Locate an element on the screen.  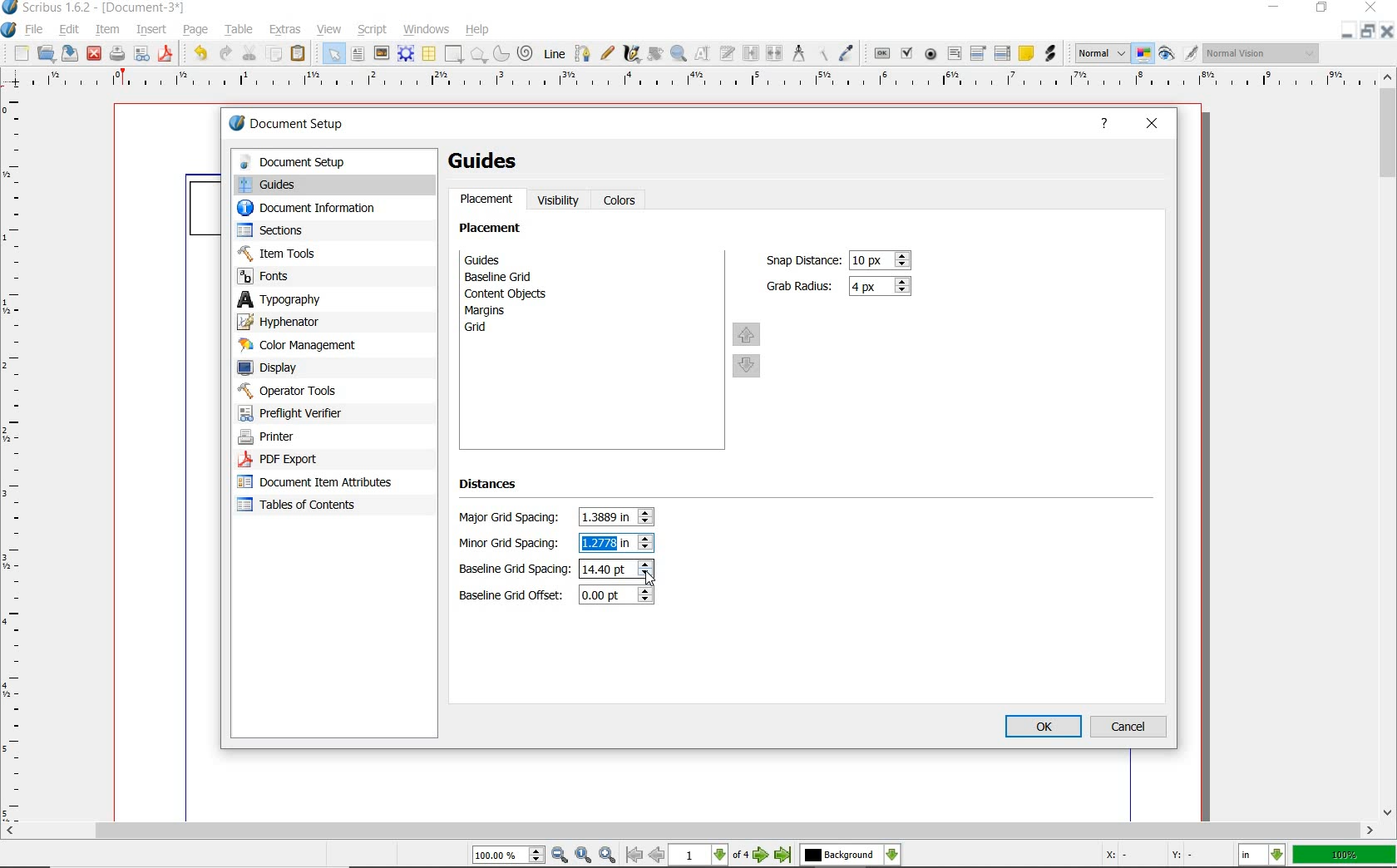
edit text with story editor is located at coordinates (726, 52).